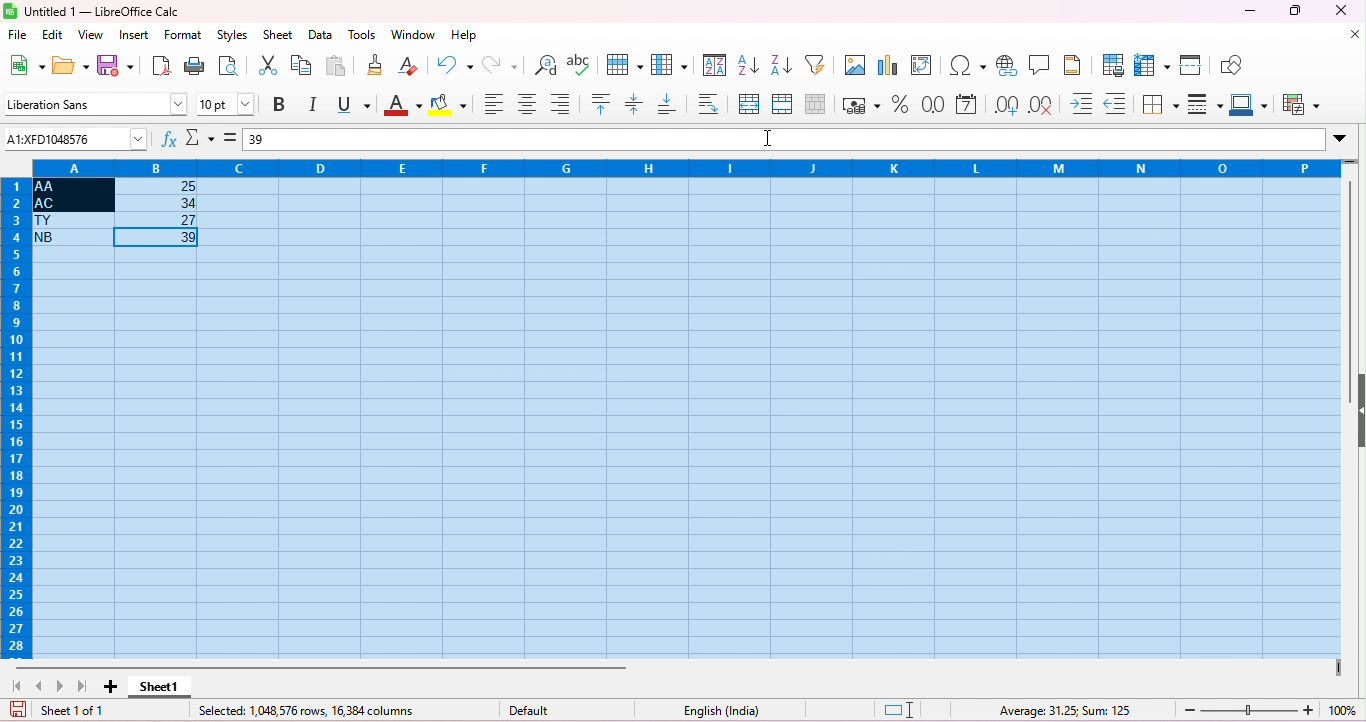 The image size is (1366, 722). Describe the element at coordinates (1042, 64) in the screenshot. I see `insert comment` at that location.